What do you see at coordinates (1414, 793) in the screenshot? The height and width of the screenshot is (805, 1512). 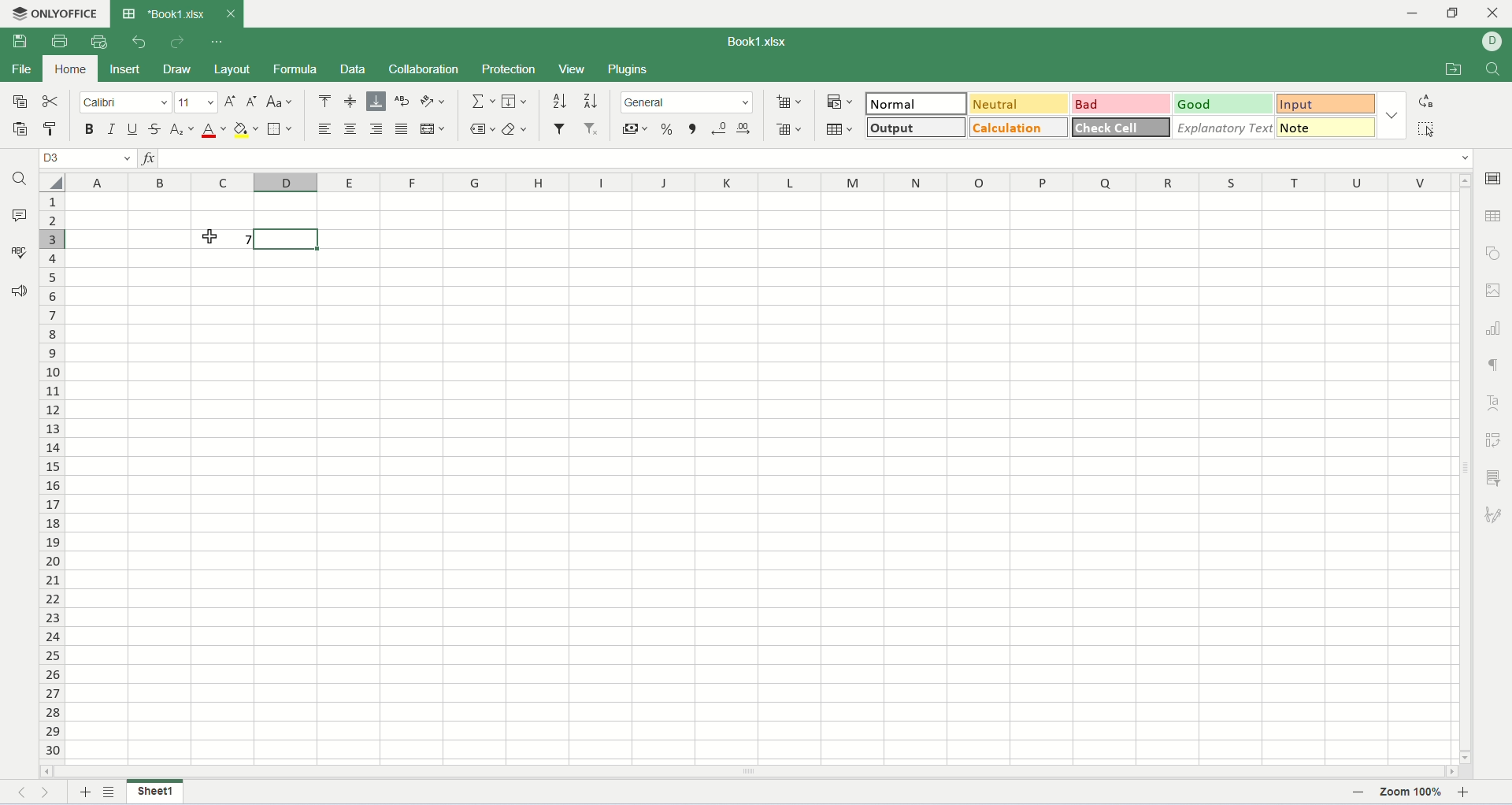 I see `zoom percent` at bounding box center [1414, 793].